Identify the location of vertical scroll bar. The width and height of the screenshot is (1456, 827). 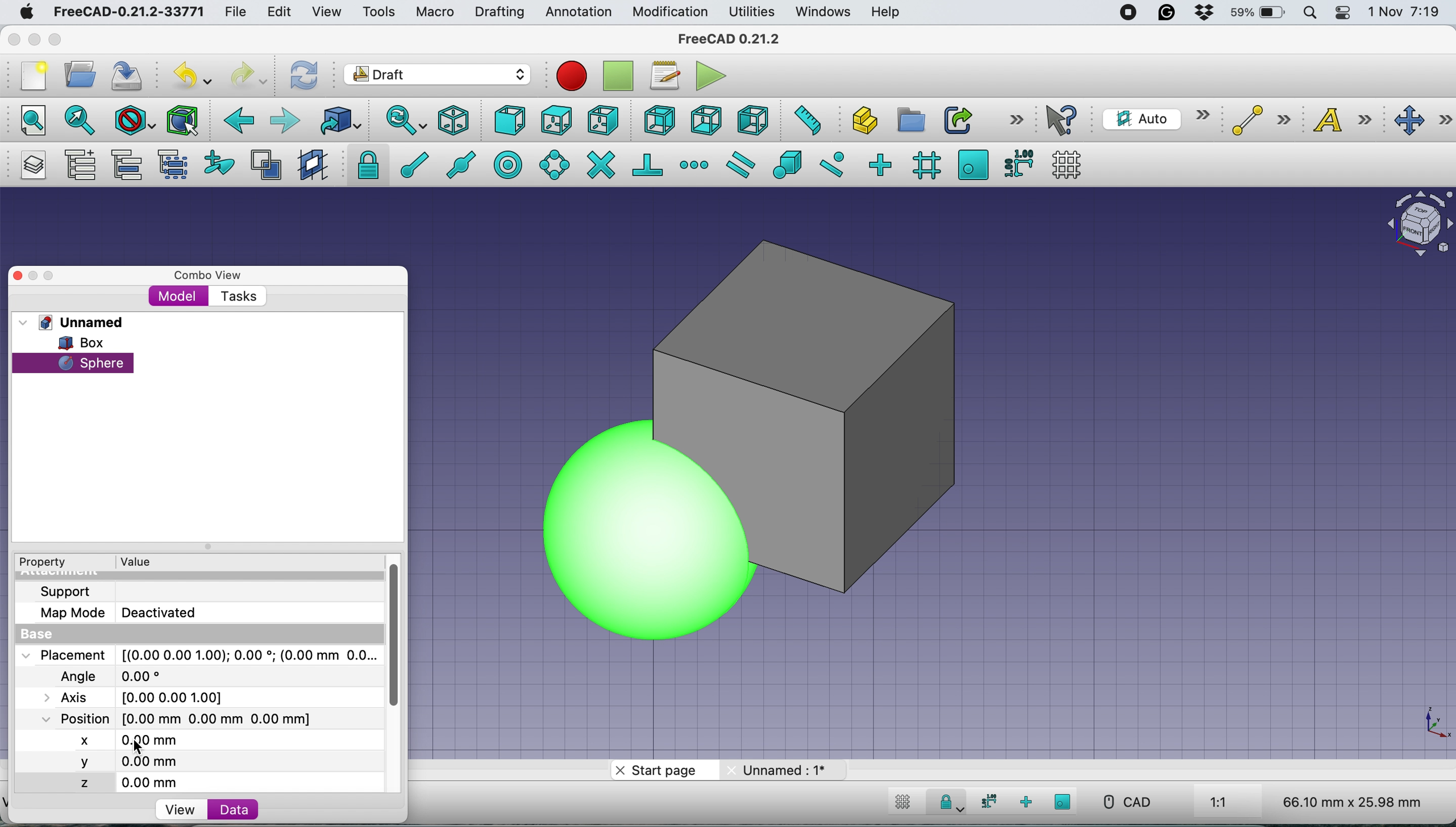
(403, 637).